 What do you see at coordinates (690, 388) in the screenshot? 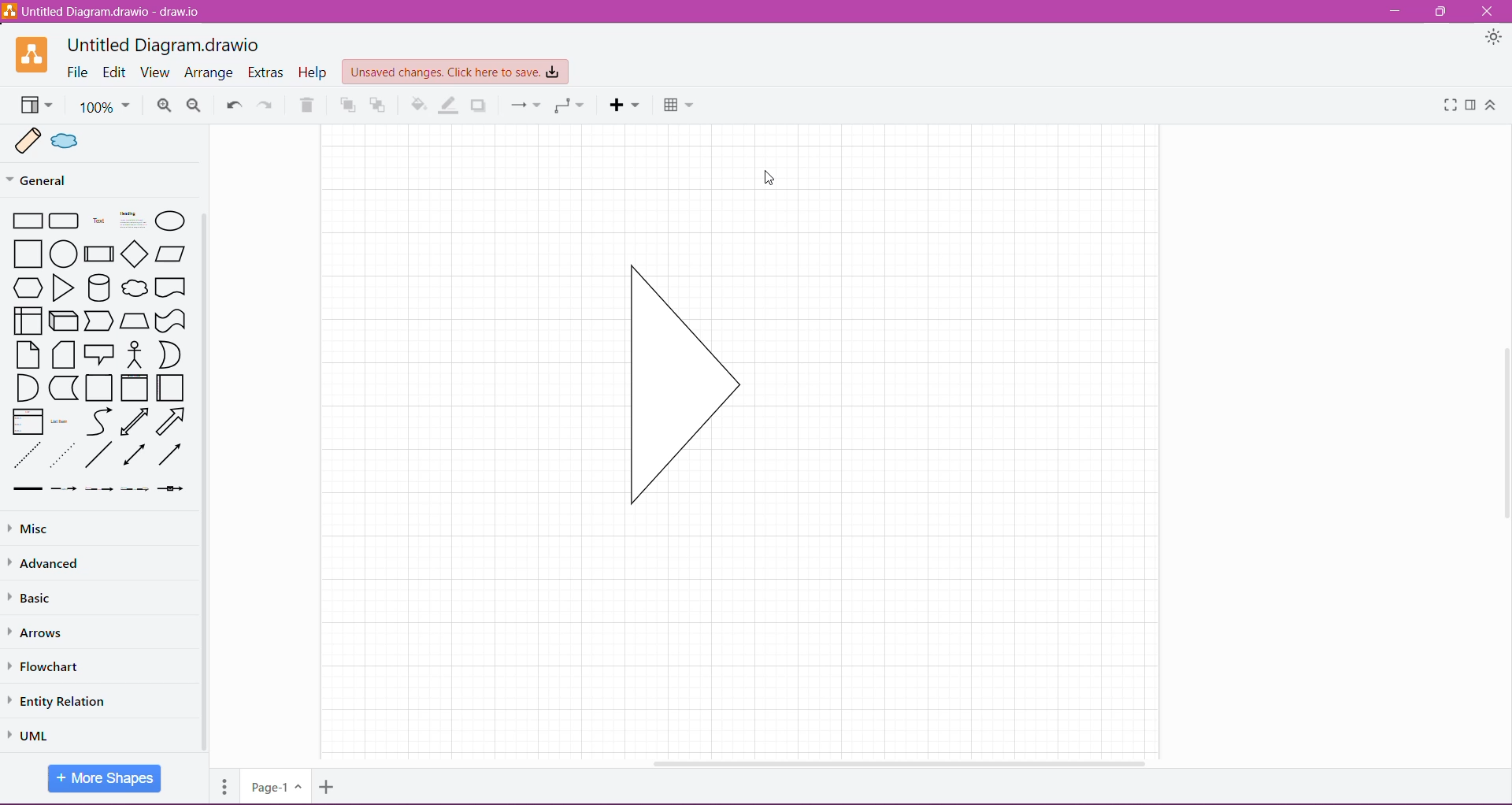
I see `Final Shape (Flipped Horizontally)` at bounding box center [690, 388].